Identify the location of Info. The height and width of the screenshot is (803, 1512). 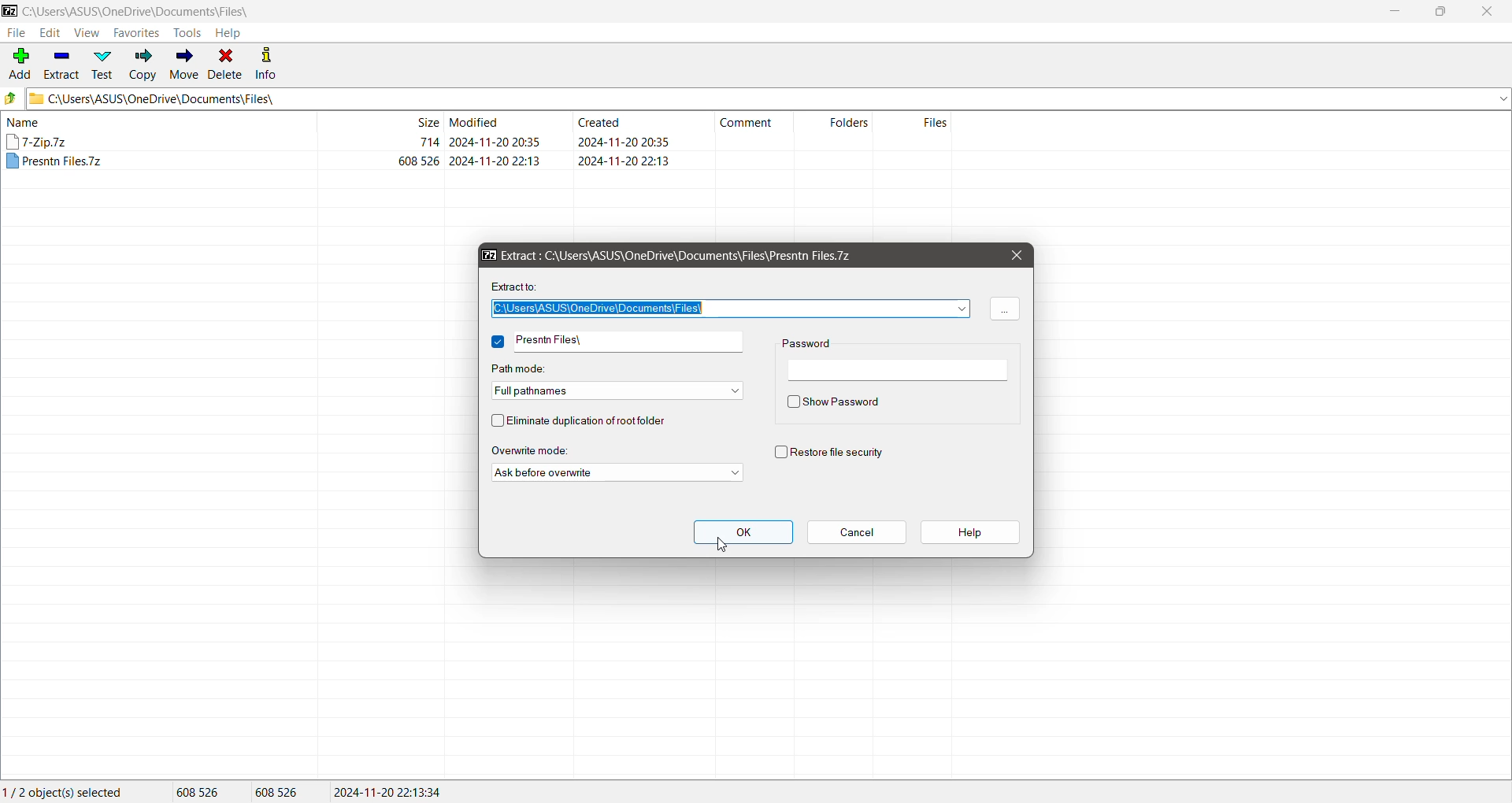
(268, 64).